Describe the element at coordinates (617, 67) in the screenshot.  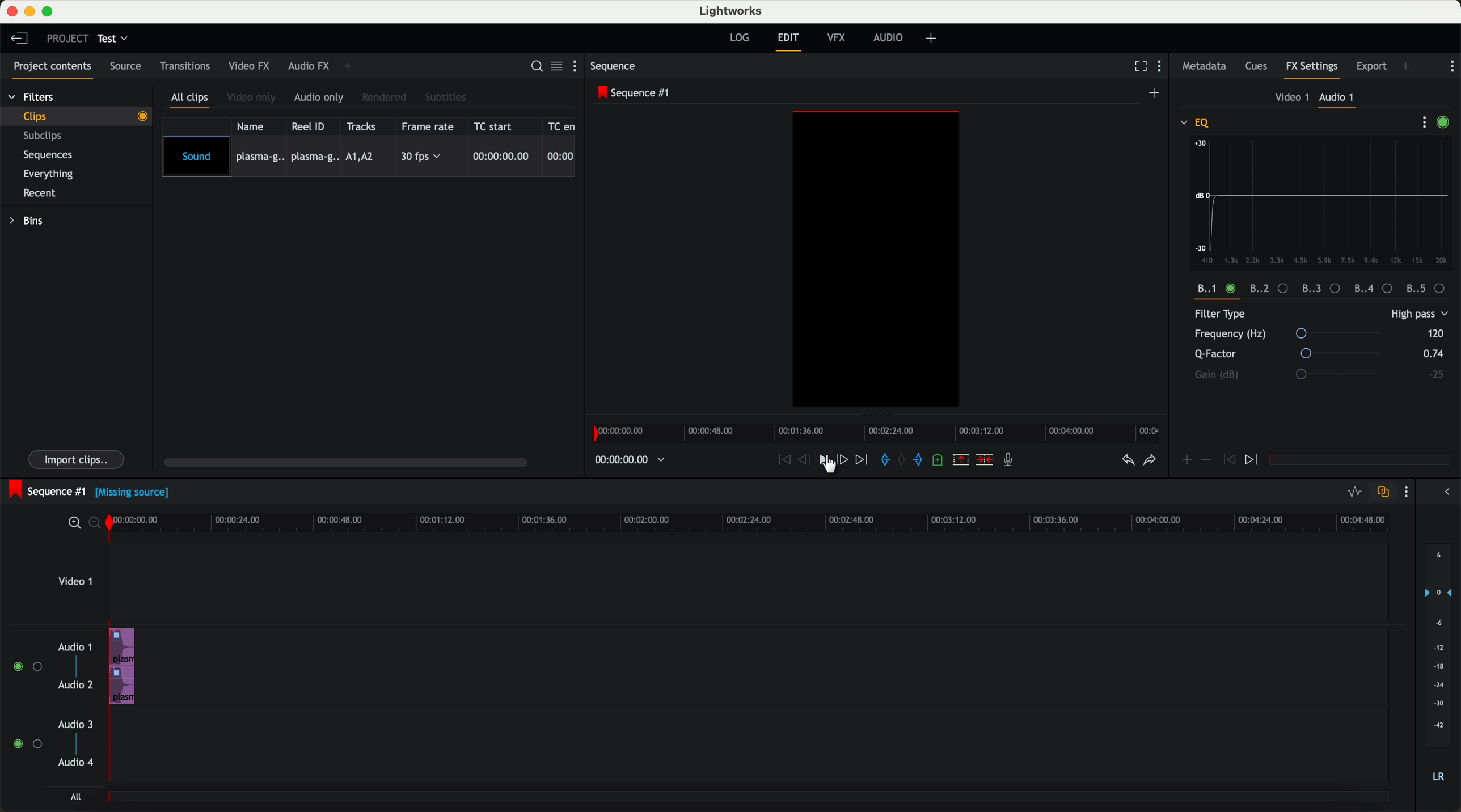
I see `sequence` at that location.